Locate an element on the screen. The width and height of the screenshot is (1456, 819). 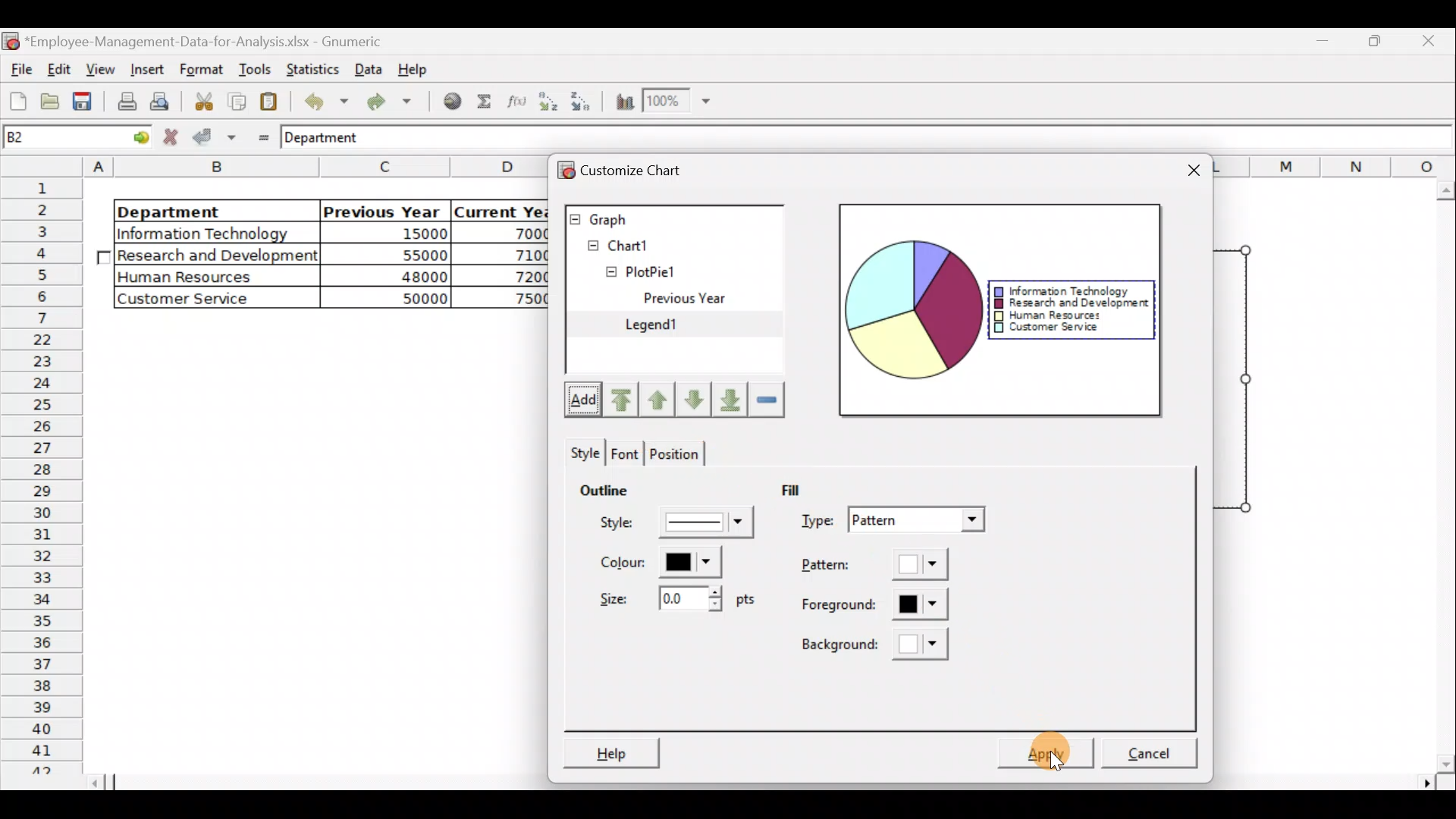
Apply is located at coordinates (1054, 748).